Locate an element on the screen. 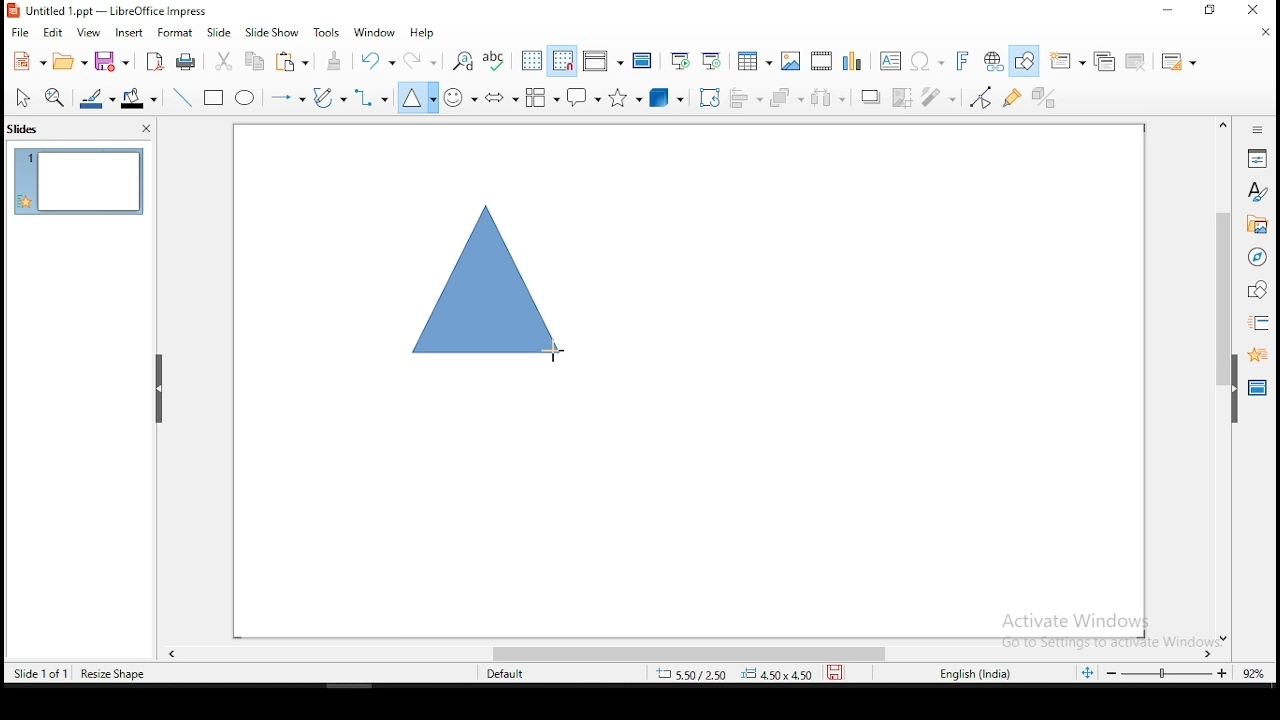 The height and width of the screenshot is (720, 1280). master slide is located at coordinates (643, 61).